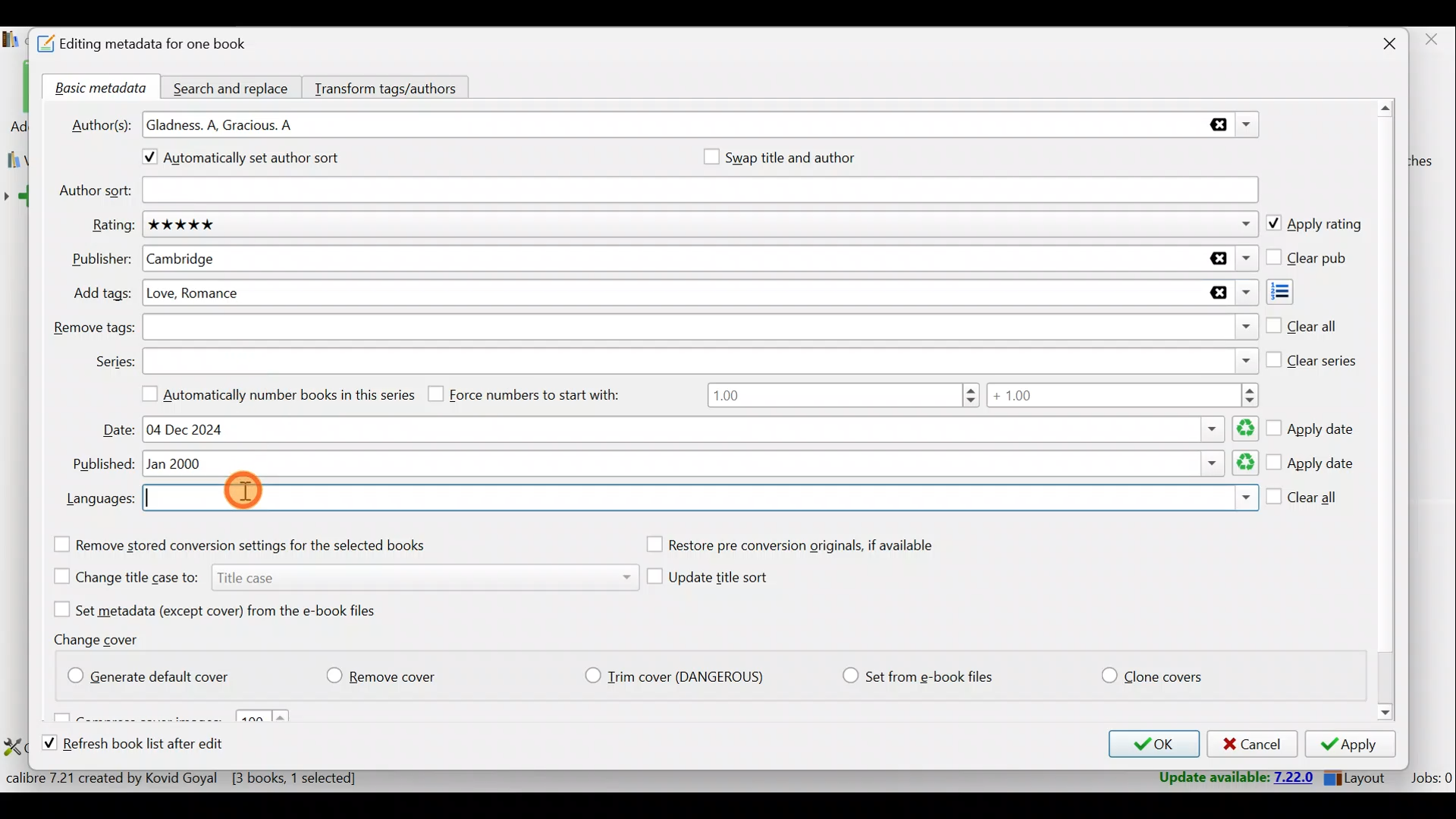 The width and height of the screenshot is (1456, 819). Describe the element at coordinates (1355, 746) in the screenshot. I see `Apply` at that location.